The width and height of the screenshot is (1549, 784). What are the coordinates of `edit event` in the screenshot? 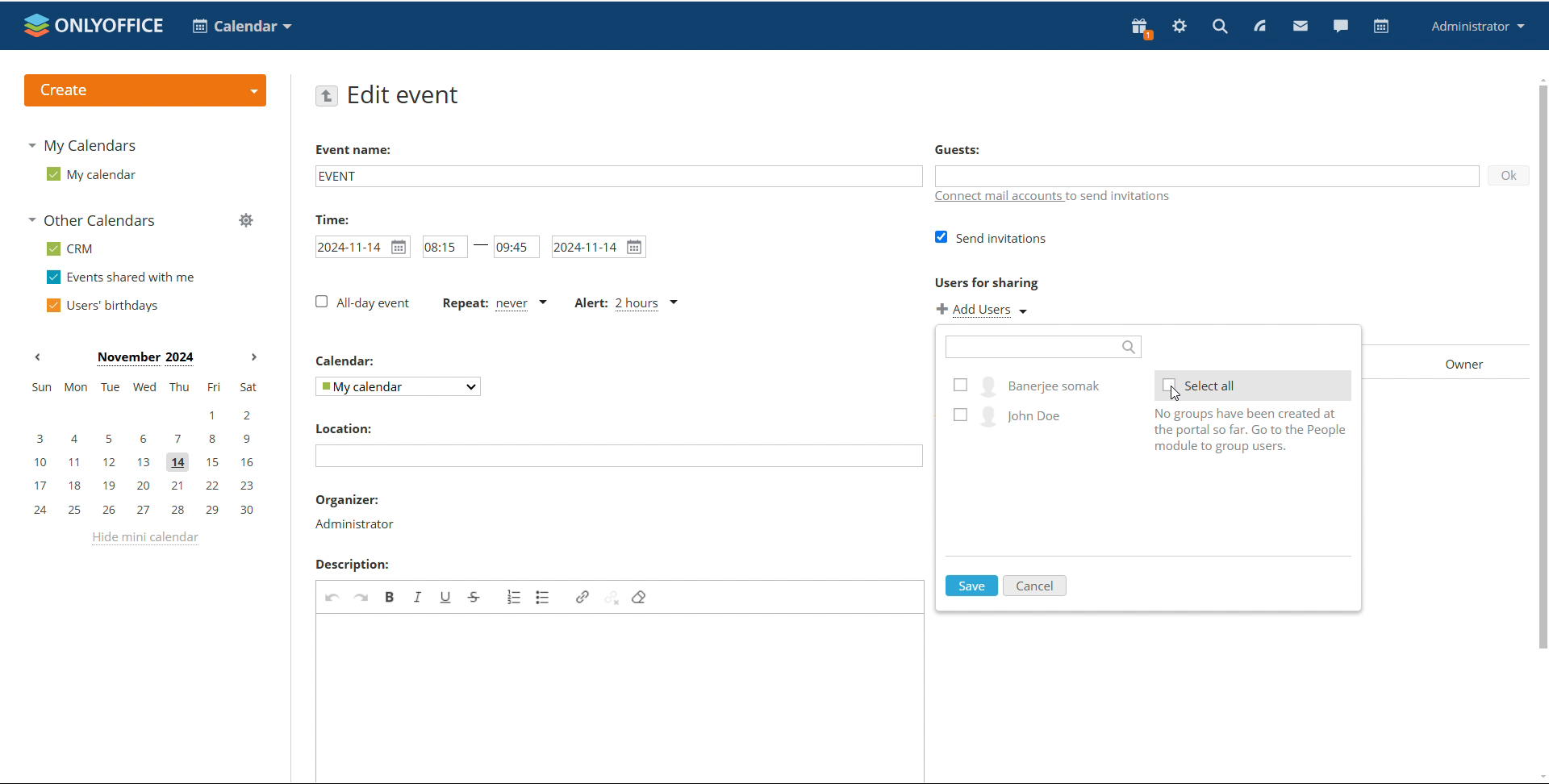 It's located at (408, 96).